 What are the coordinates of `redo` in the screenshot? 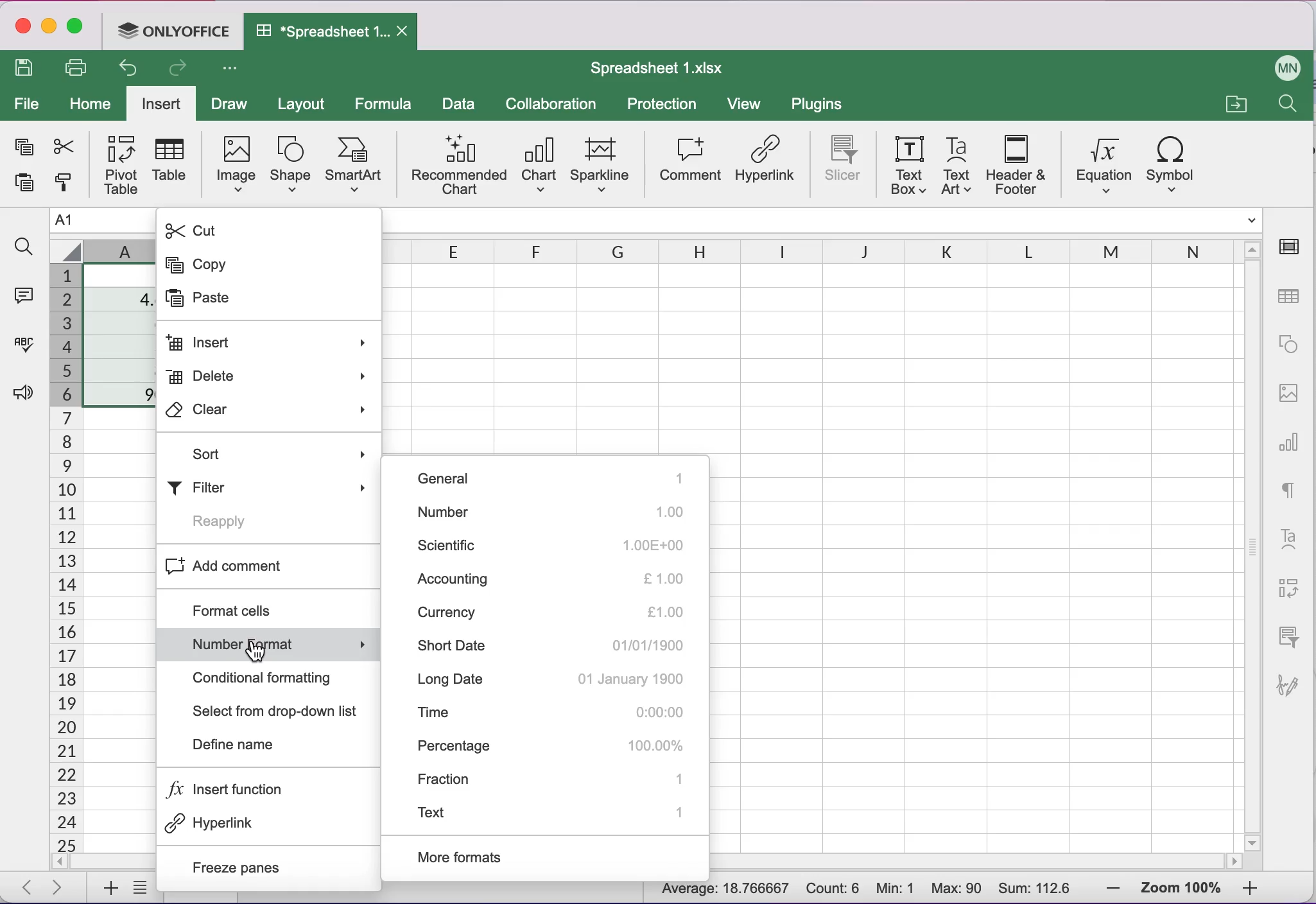 It's located at (181, 69).